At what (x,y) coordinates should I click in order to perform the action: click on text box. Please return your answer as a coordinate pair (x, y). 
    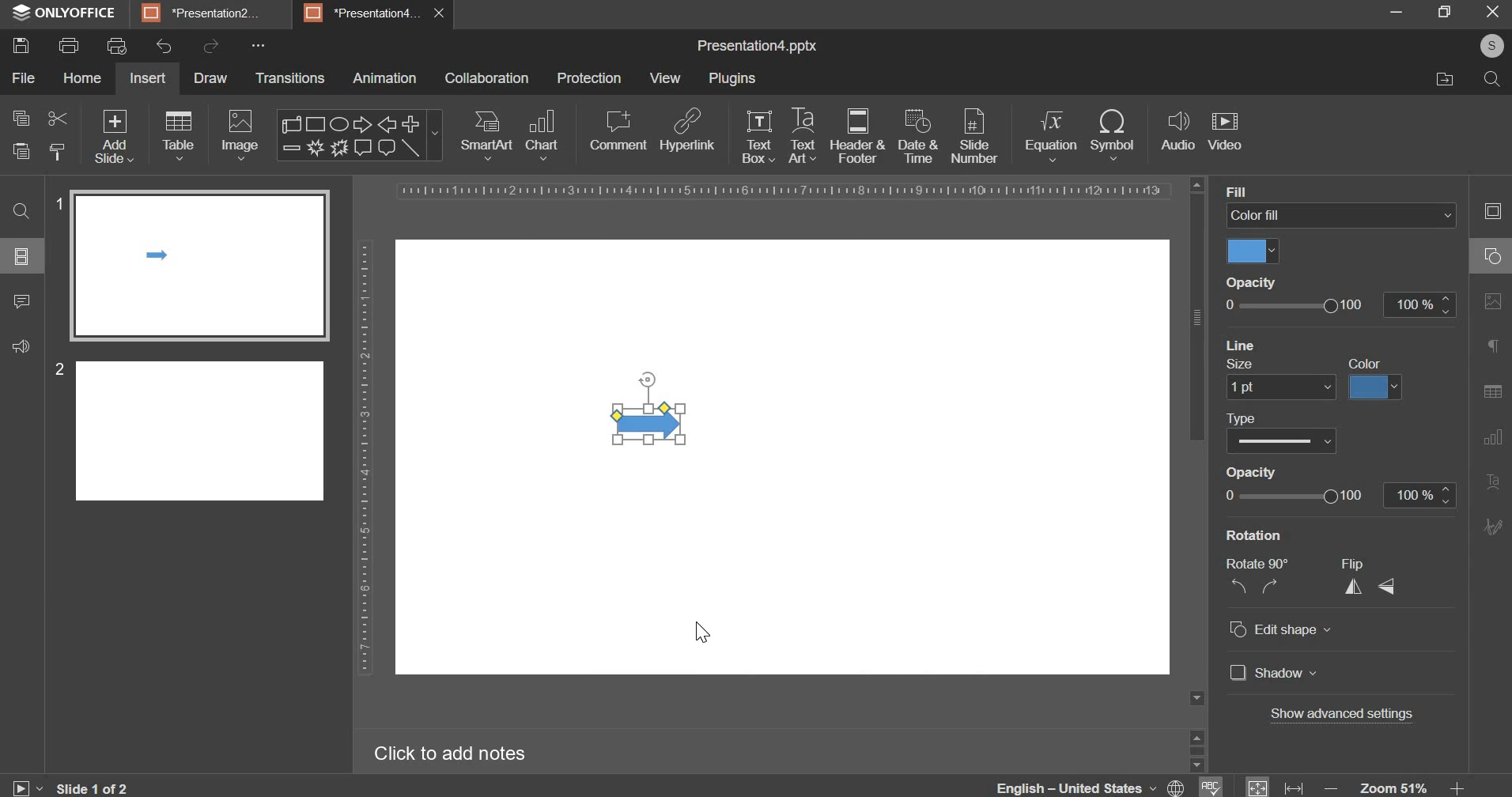
    Looking at the image, I should click on (760, 138).